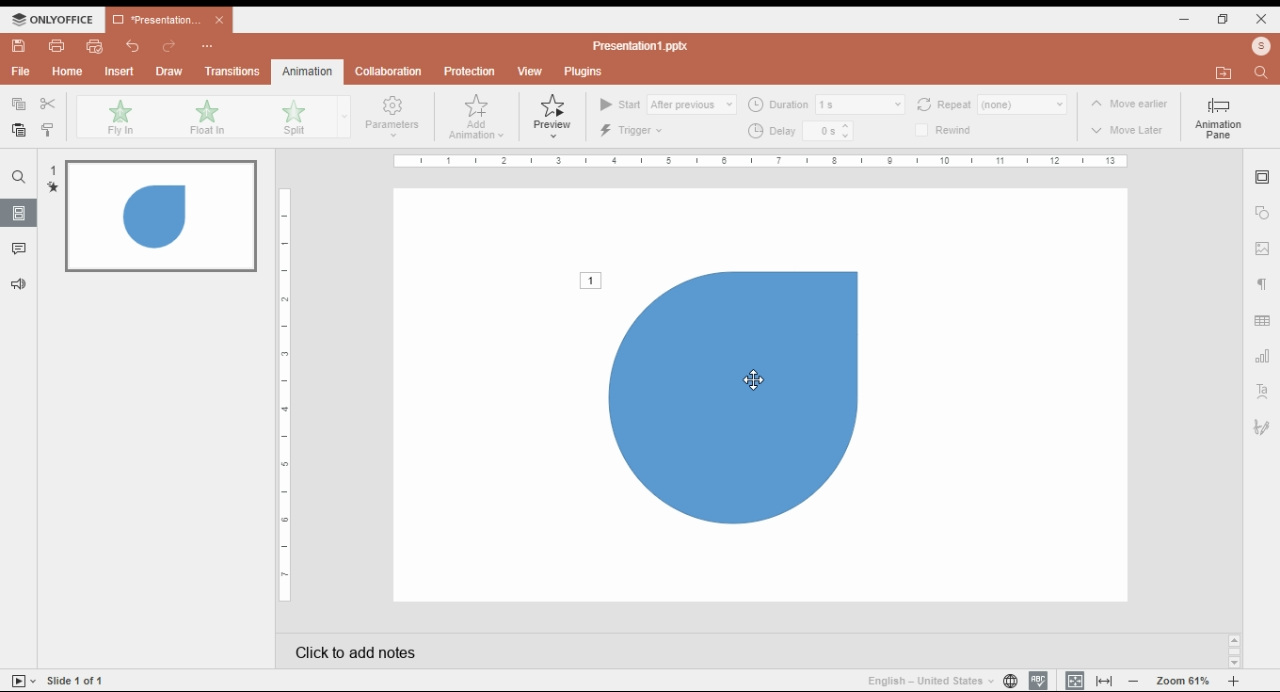  Describe the element at coordinates (1262, 318) in the screenshot. I see `table settings` at that location.